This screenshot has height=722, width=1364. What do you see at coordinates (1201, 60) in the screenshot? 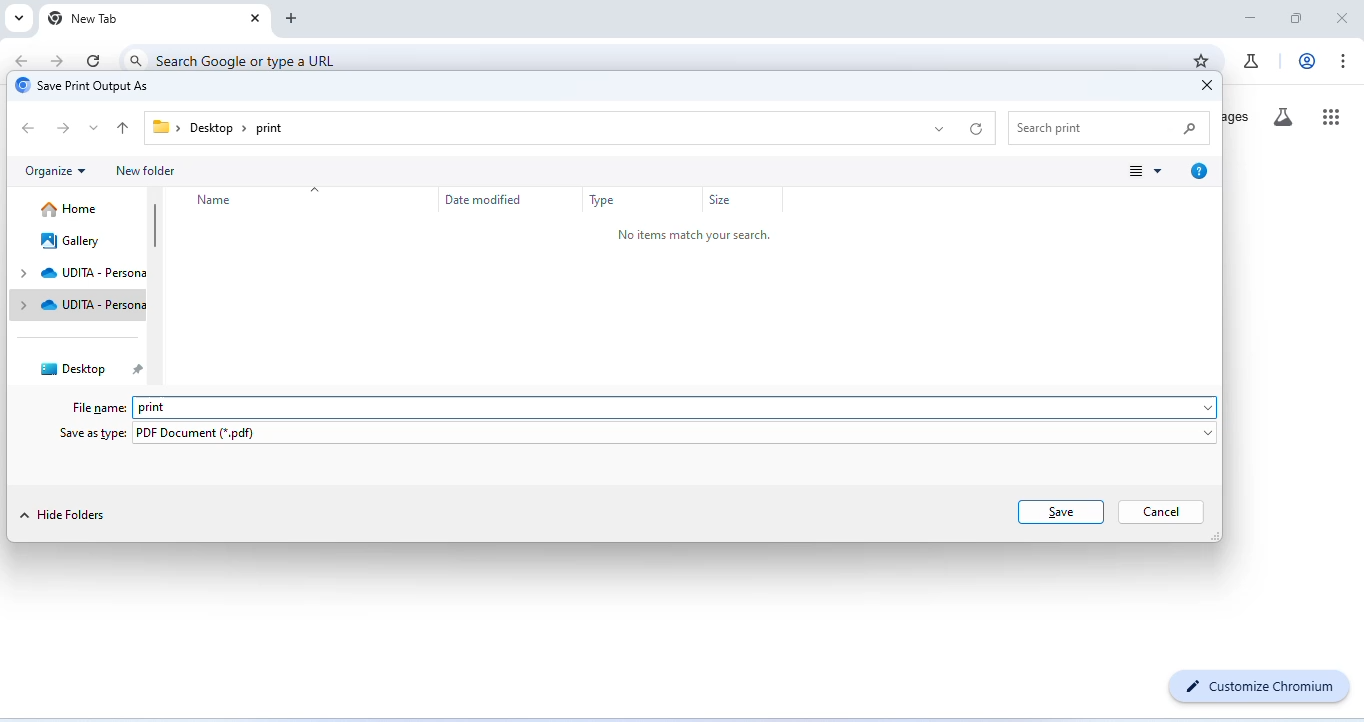
I see `bookmark` at bounding box center [1201, 60].